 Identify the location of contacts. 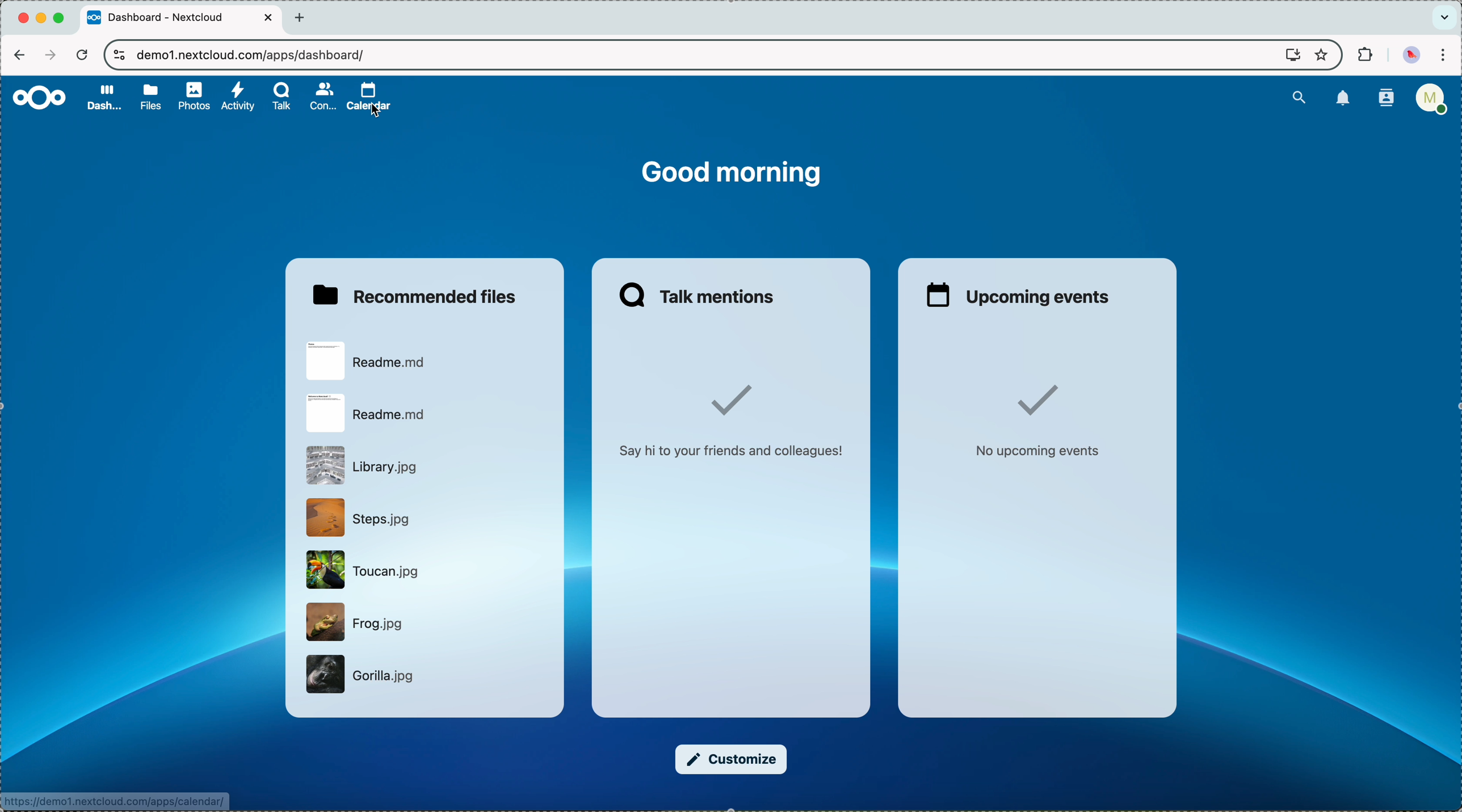
(321, 96).